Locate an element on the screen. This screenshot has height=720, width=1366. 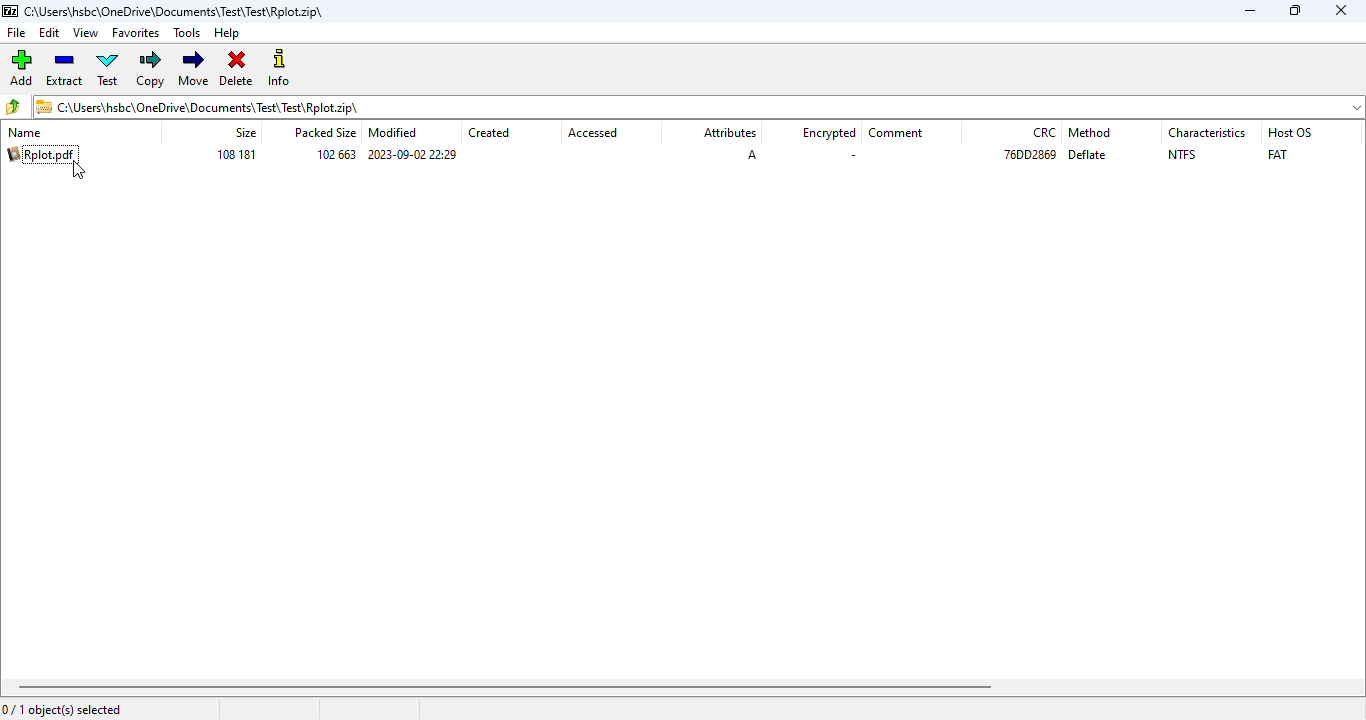
deflate is located at coordinates (1088, 155).